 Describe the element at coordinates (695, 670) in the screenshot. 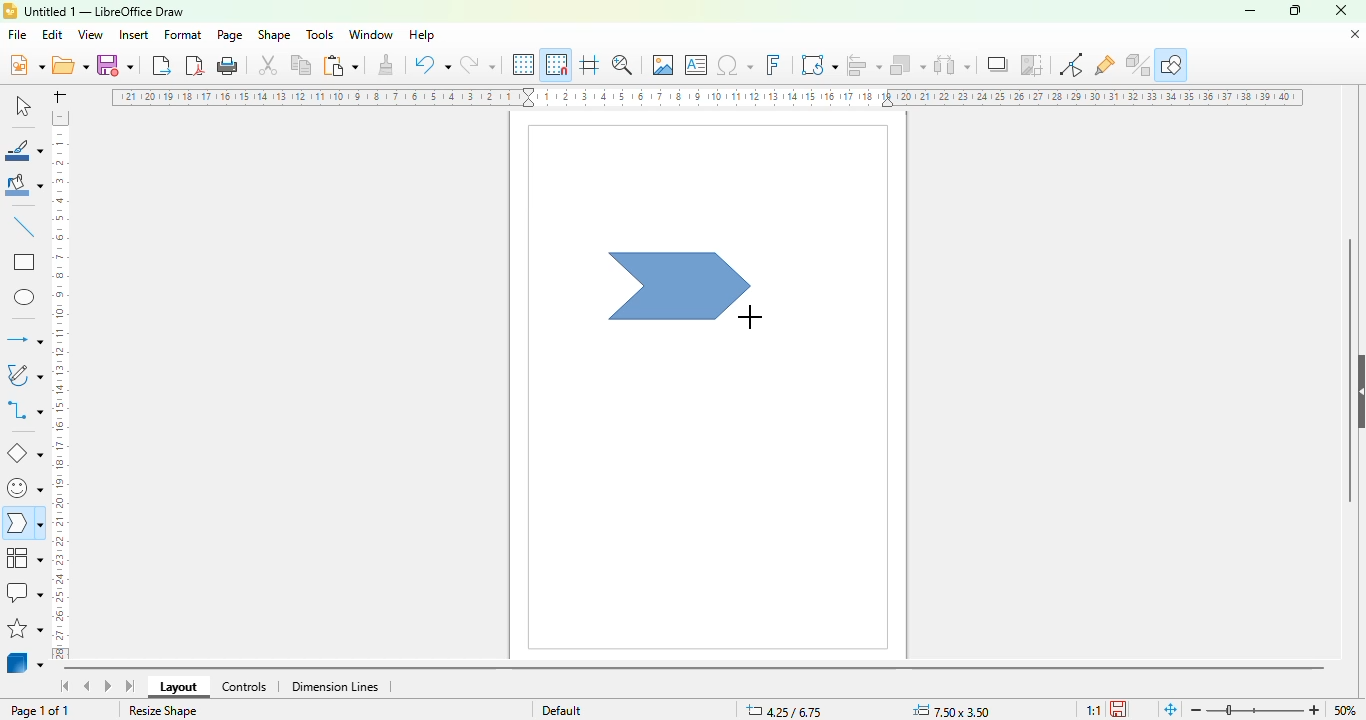

I see `horizontal scroll bar` at that location.